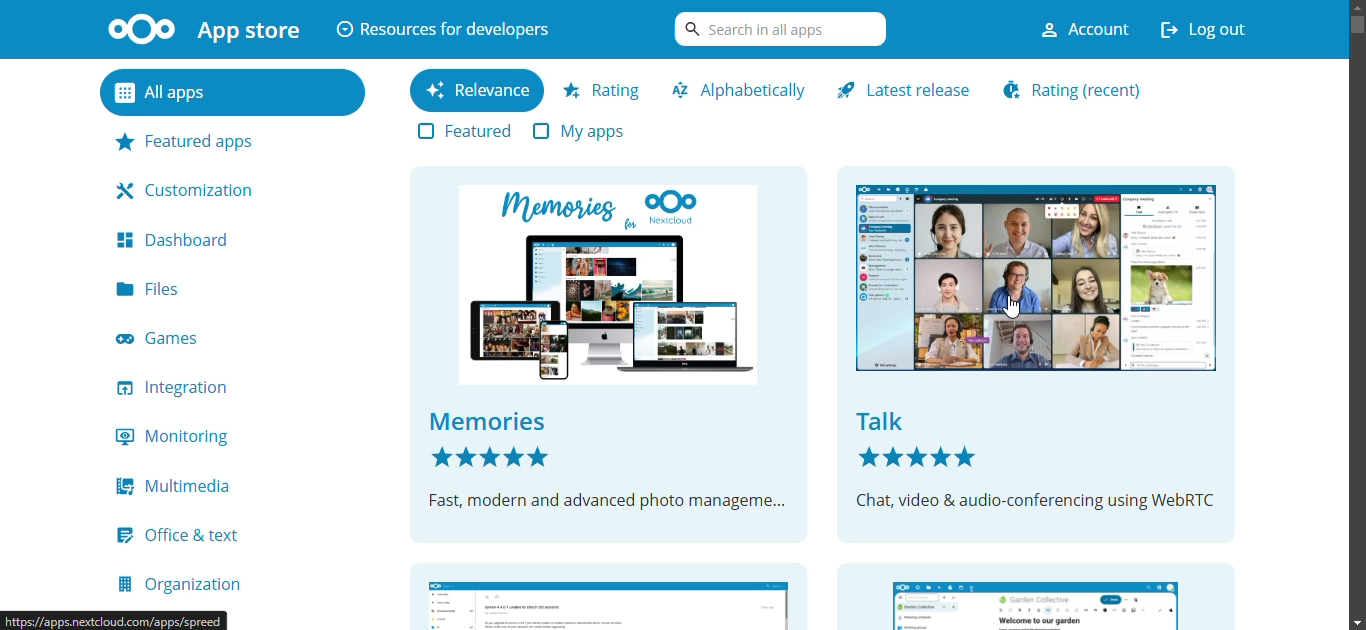 The width and height of the screenshot is (1366, 630). What do you see at coordinates (604, 89) in the screenshot?
I see `rating` at bounding box center [604, 89].